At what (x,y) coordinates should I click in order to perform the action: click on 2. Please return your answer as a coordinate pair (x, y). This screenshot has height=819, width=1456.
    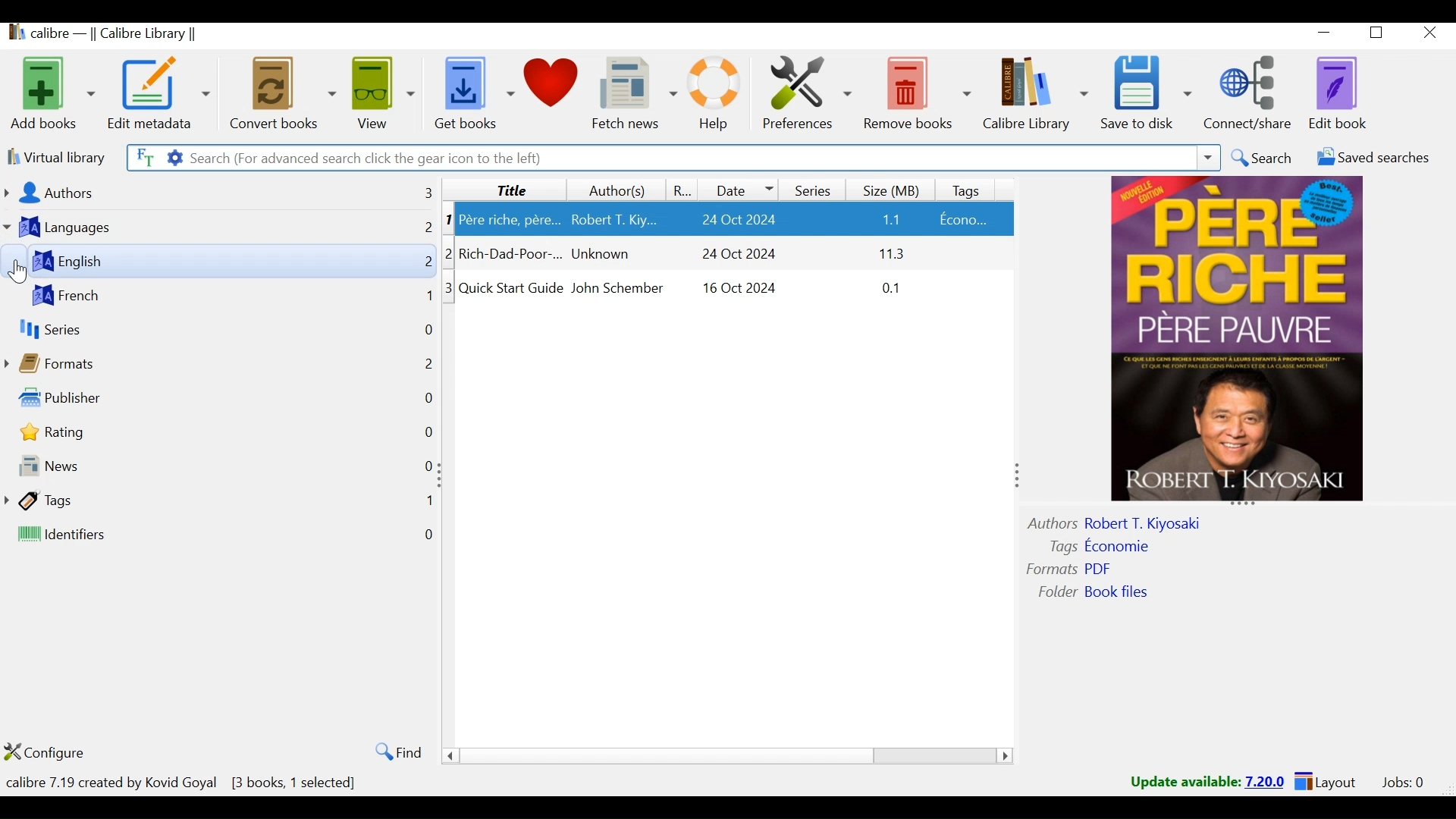
    Looking at the image, I should click on (420, 362).